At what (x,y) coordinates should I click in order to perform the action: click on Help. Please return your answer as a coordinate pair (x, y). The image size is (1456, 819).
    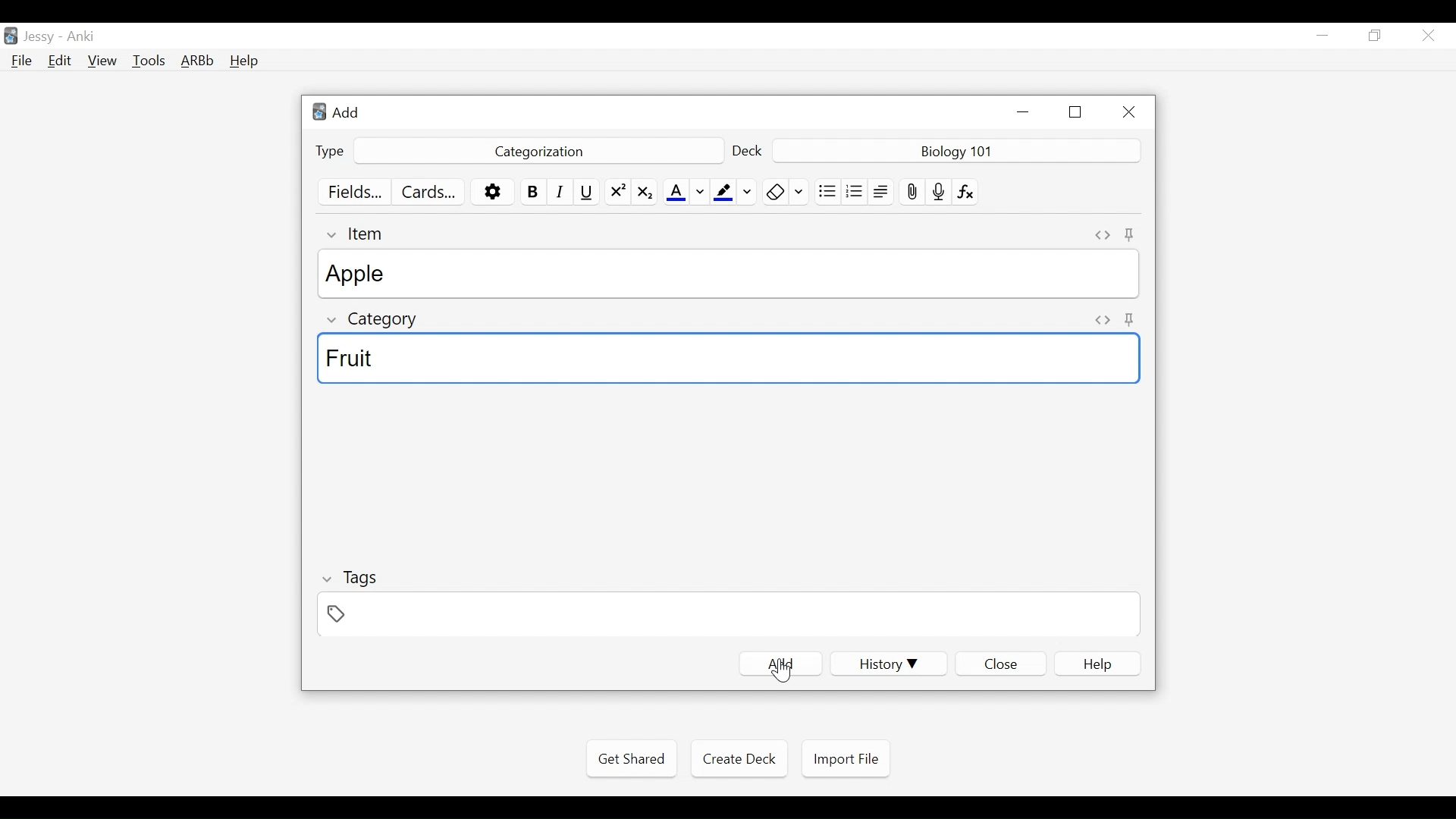
    Looking at the image, I should click on (243, 62).